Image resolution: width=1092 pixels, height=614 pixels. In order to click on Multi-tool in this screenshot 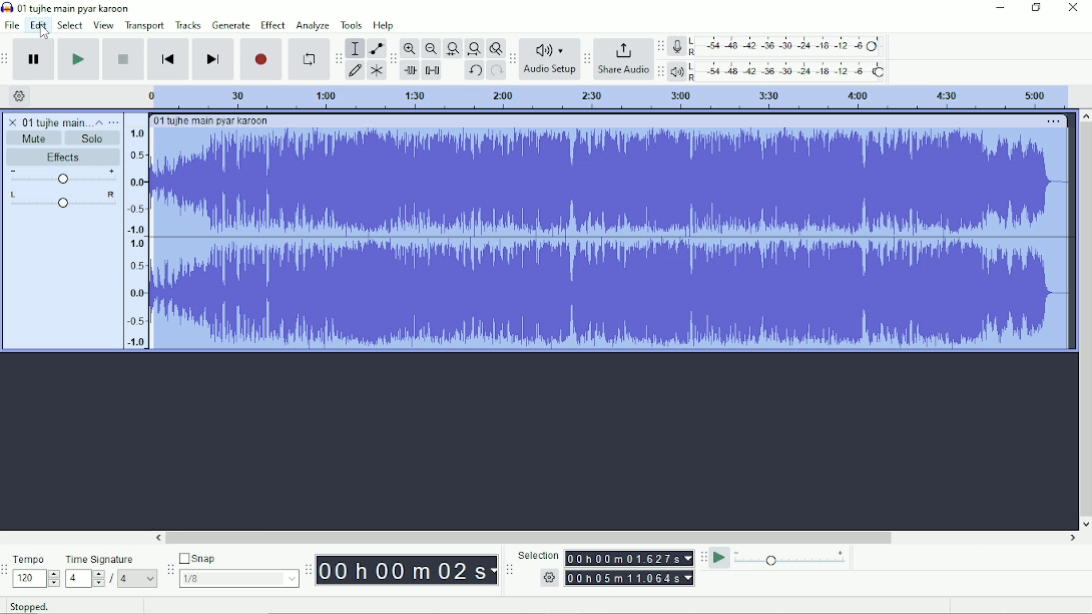, I will do `click(375, 70)`.